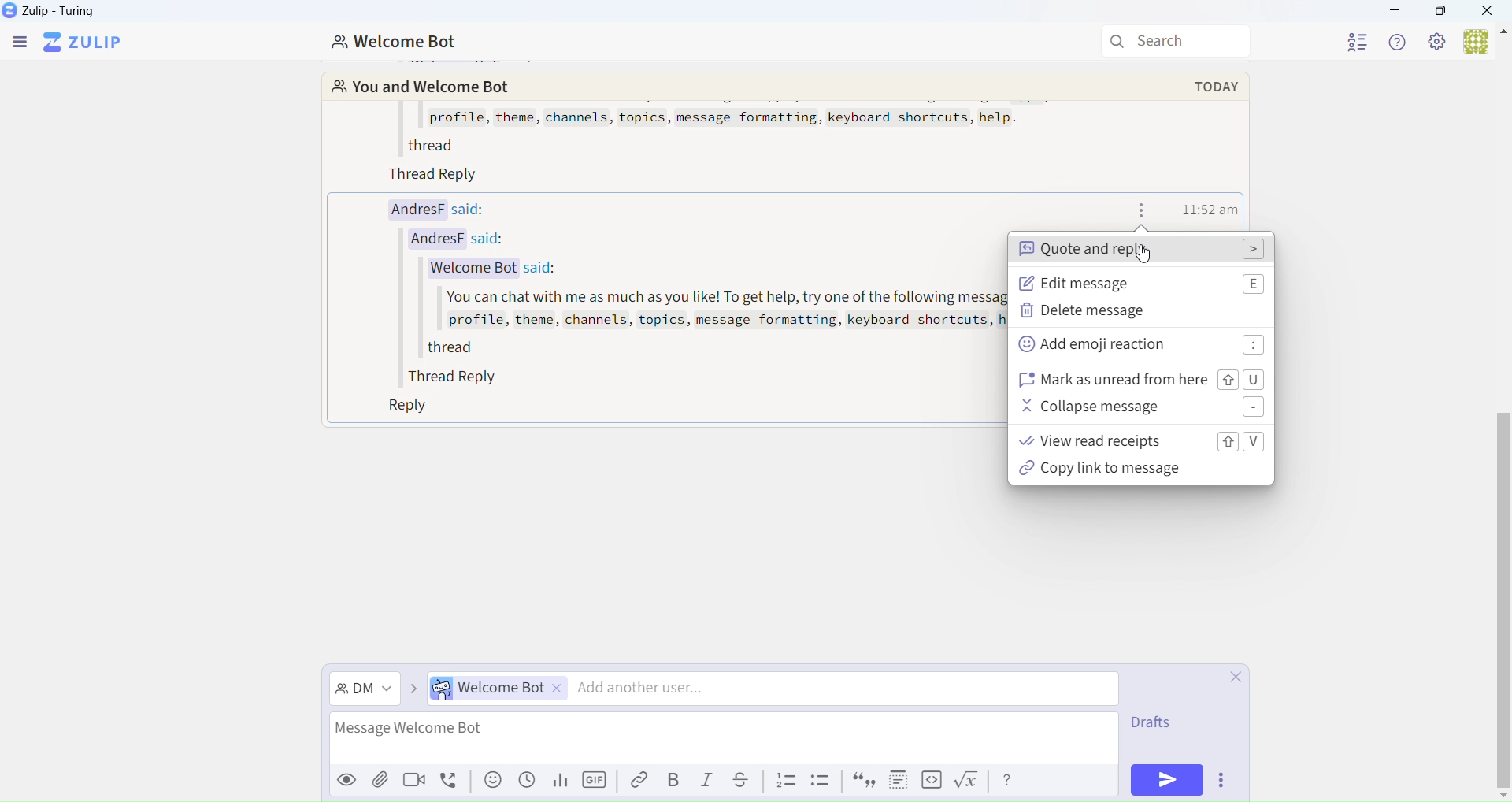  What do you see at coordinates (636, 781) in the screenshot?
I see `Link` at bounding box center [636, 781].